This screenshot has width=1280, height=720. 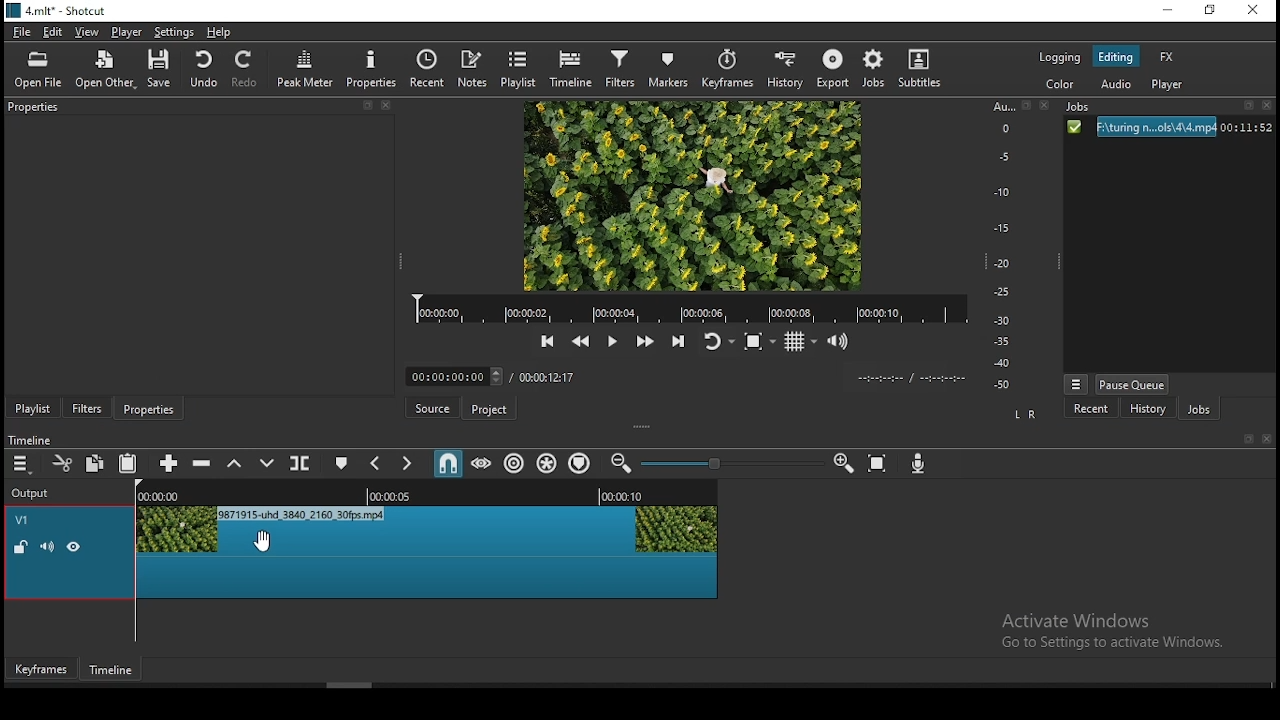 What do you see at coordinates (150, 408) in the screenshot?
I see `properties` at bounding box center [150, 408].